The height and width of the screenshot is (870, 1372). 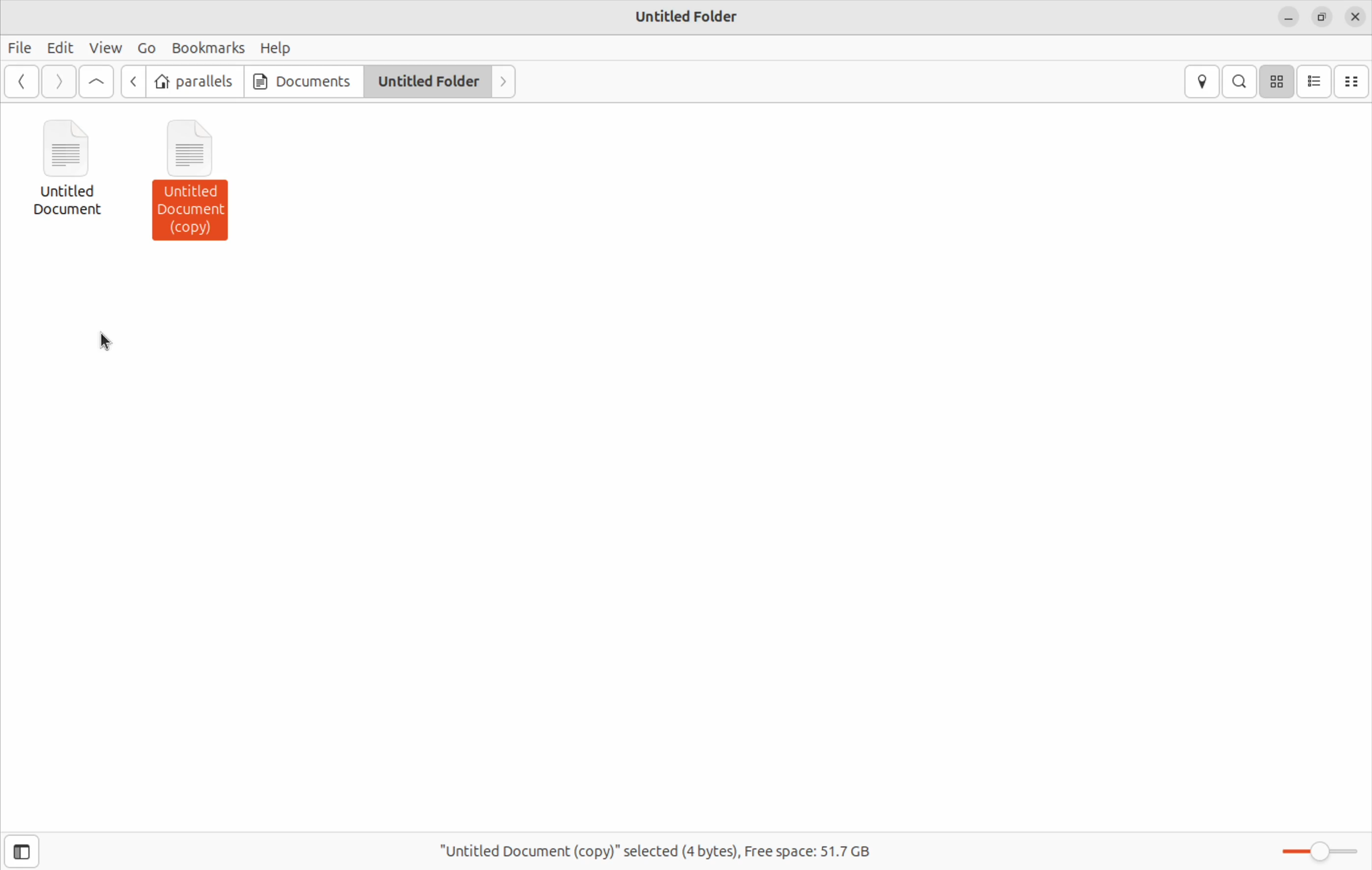 What do you see at coordinates (300, 81) in the screenshot?
I see `Documents` at bounding box center [300, 81].